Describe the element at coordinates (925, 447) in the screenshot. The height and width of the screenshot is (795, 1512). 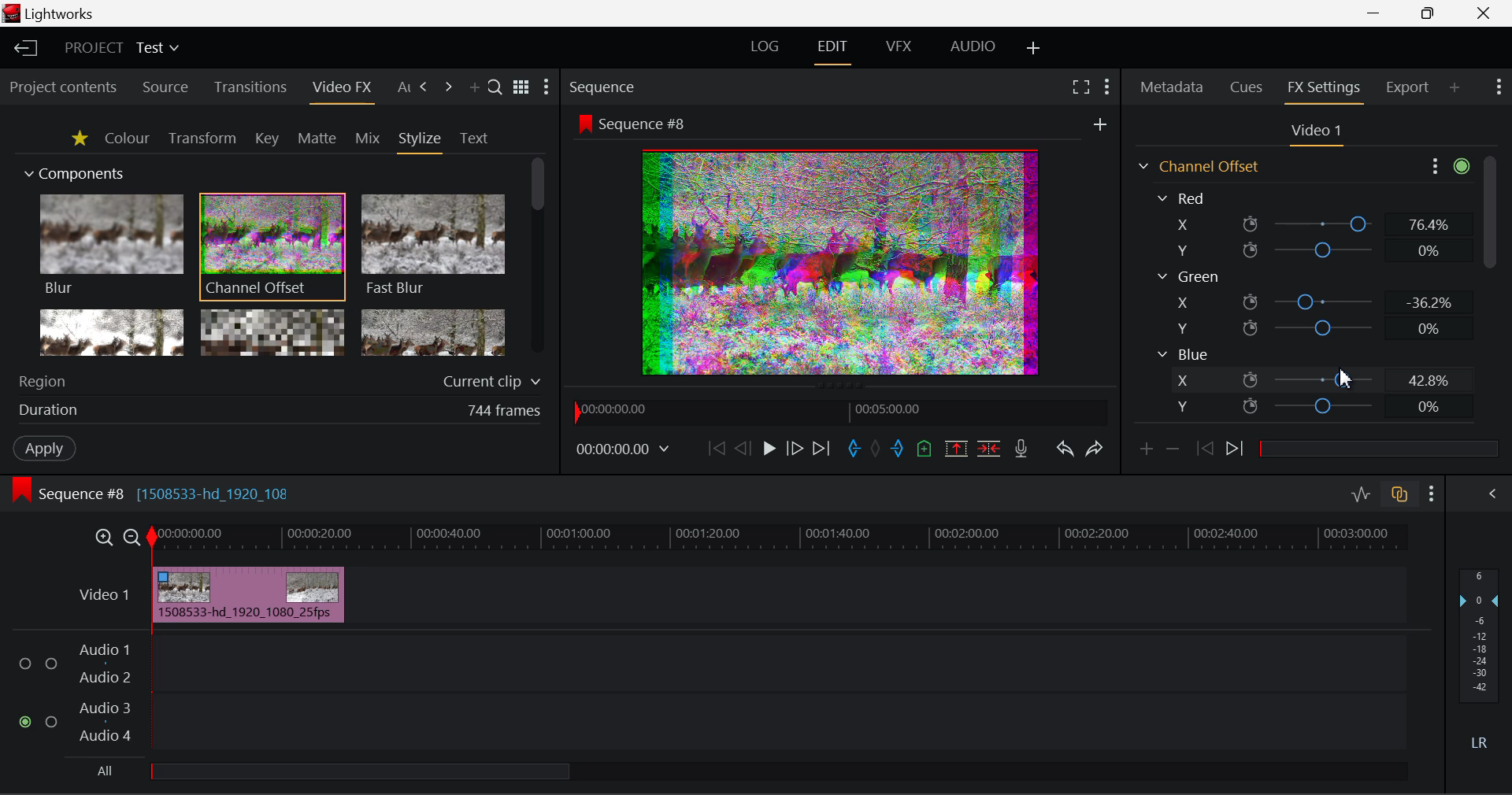
I see `Mark Cue` at that location.